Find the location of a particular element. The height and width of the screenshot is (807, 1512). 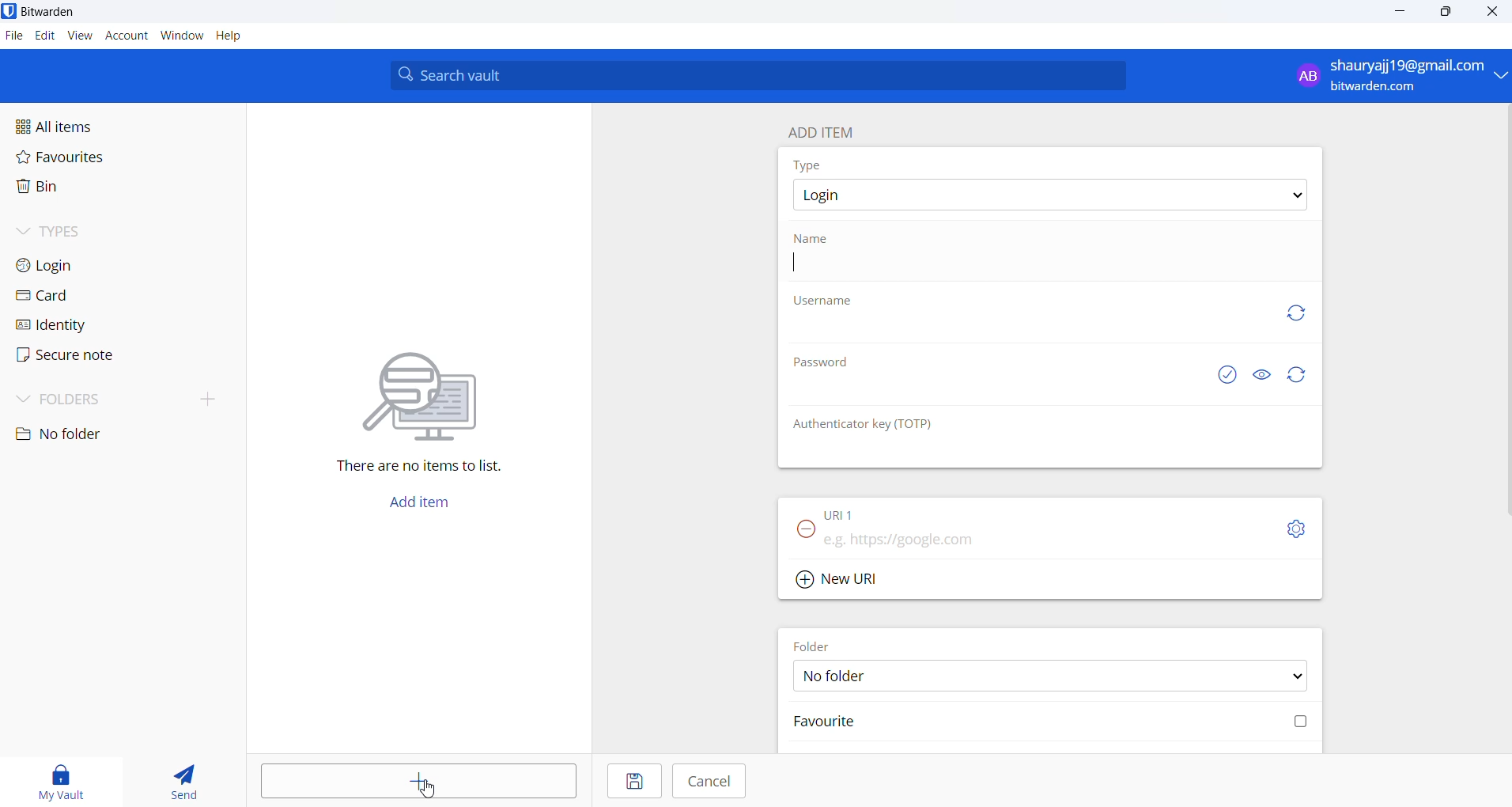

maximize is located at coordinates (1447, 13).